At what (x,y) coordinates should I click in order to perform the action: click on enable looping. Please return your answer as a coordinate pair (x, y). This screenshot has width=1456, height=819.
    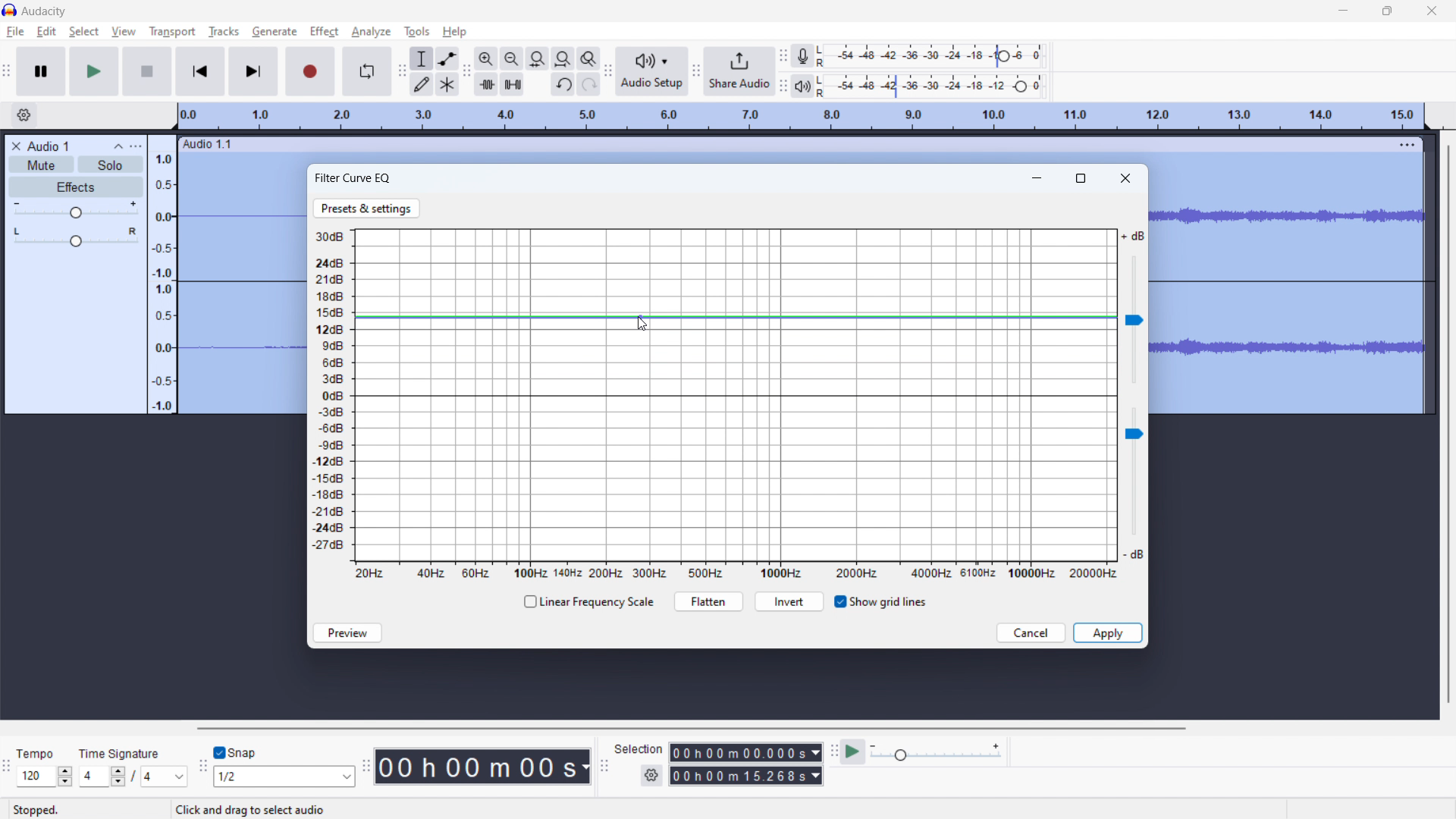
    Looking at the image, I should click on (367, 71).